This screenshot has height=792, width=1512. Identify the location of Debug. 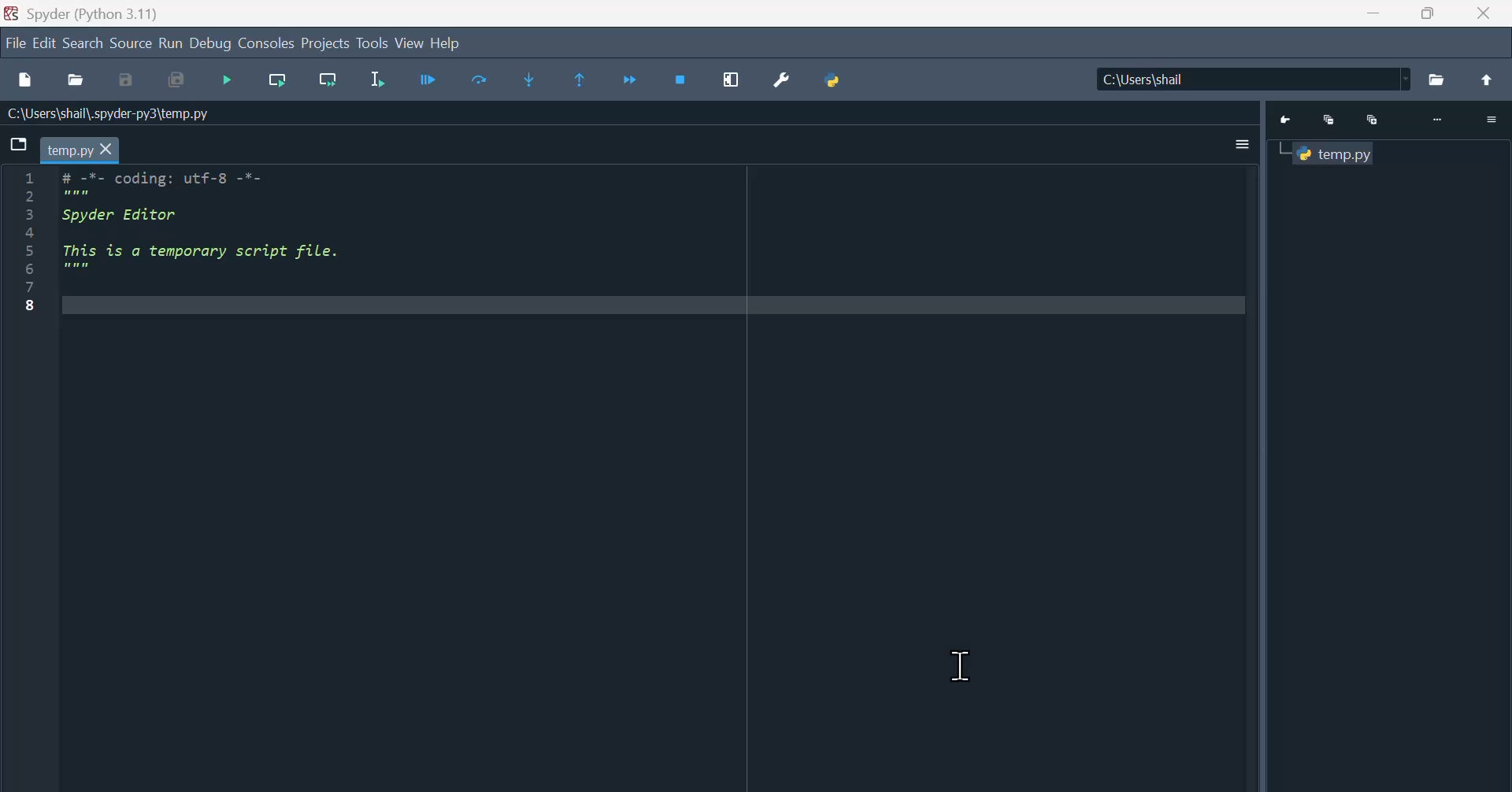
(210, 42).